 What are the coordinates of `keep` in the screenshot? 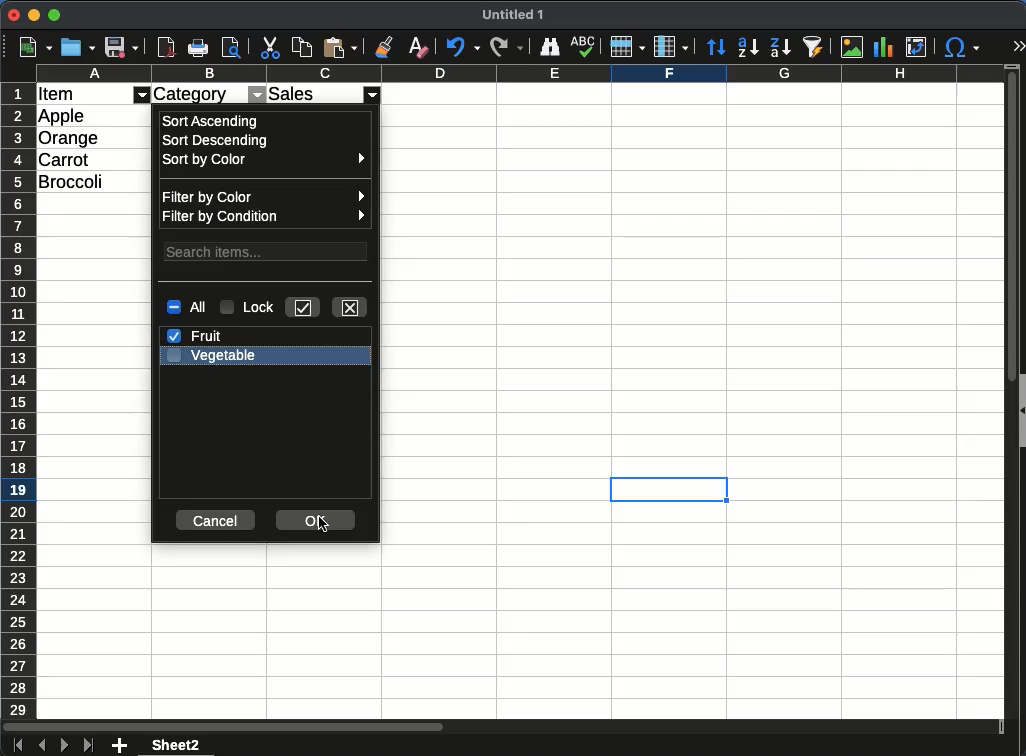 It's located at (303, 307).